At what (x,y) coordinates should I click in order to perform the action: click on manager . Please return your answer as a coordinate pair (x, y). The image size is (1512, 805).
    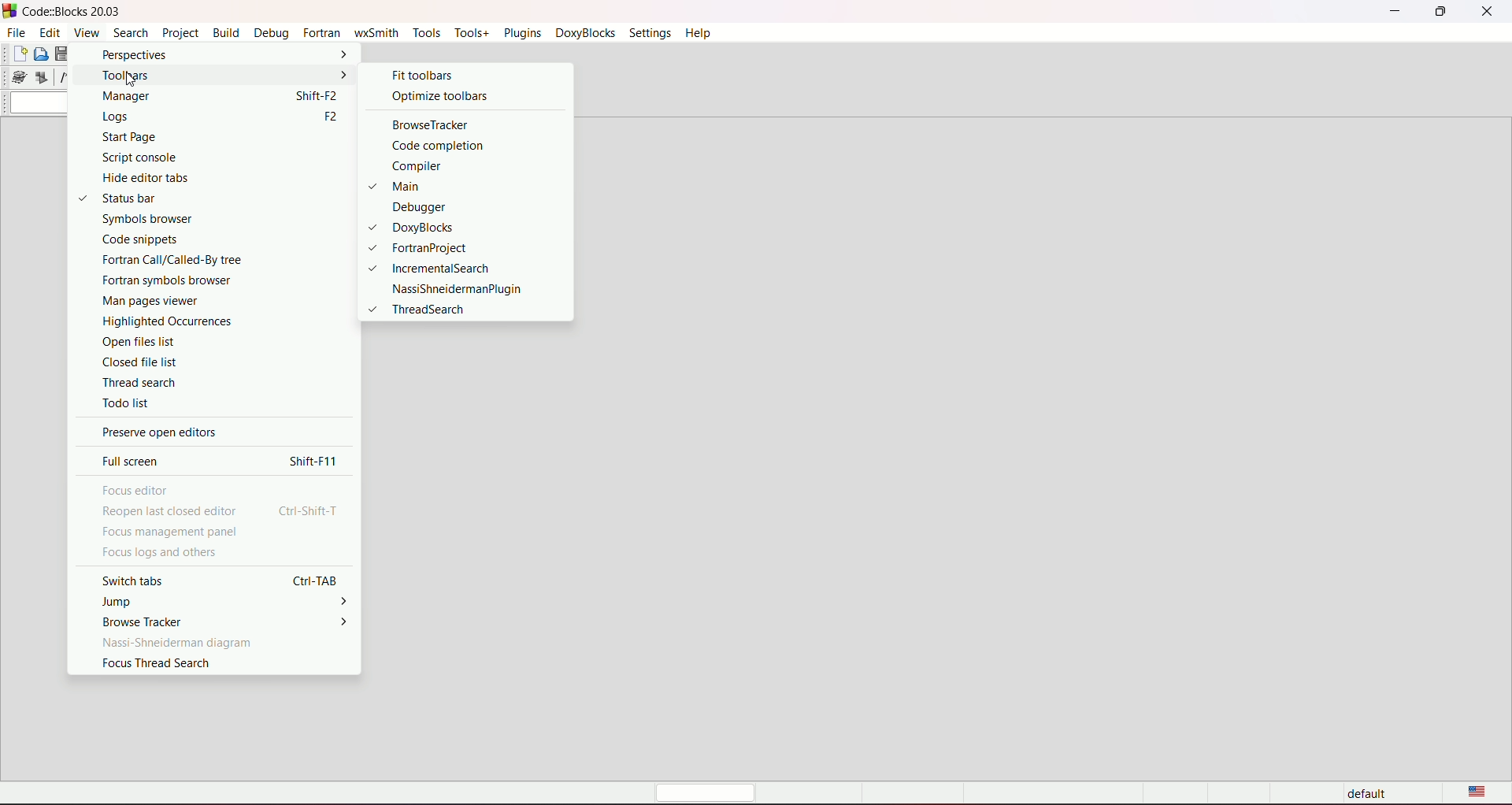
    Looking at the image, I should click on (187, 97).